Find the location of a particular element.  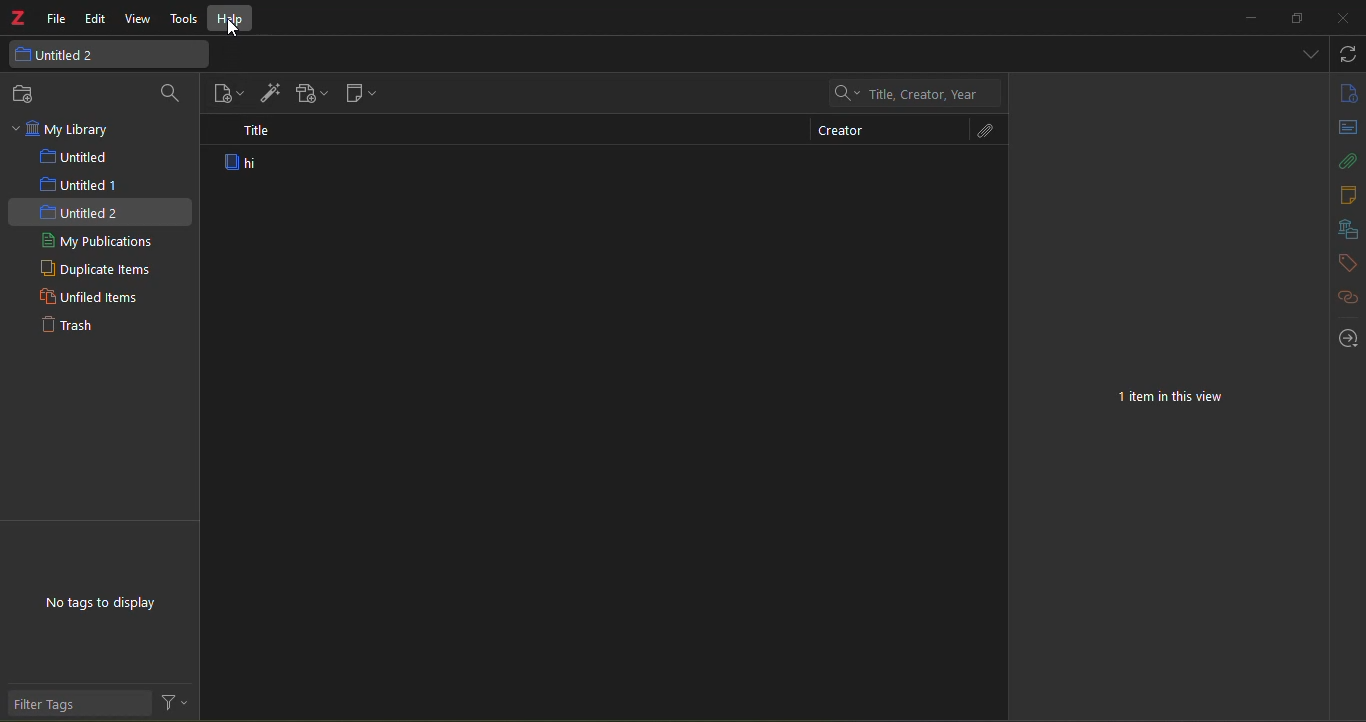

untitled 2 is located at coordinates (104, 55).